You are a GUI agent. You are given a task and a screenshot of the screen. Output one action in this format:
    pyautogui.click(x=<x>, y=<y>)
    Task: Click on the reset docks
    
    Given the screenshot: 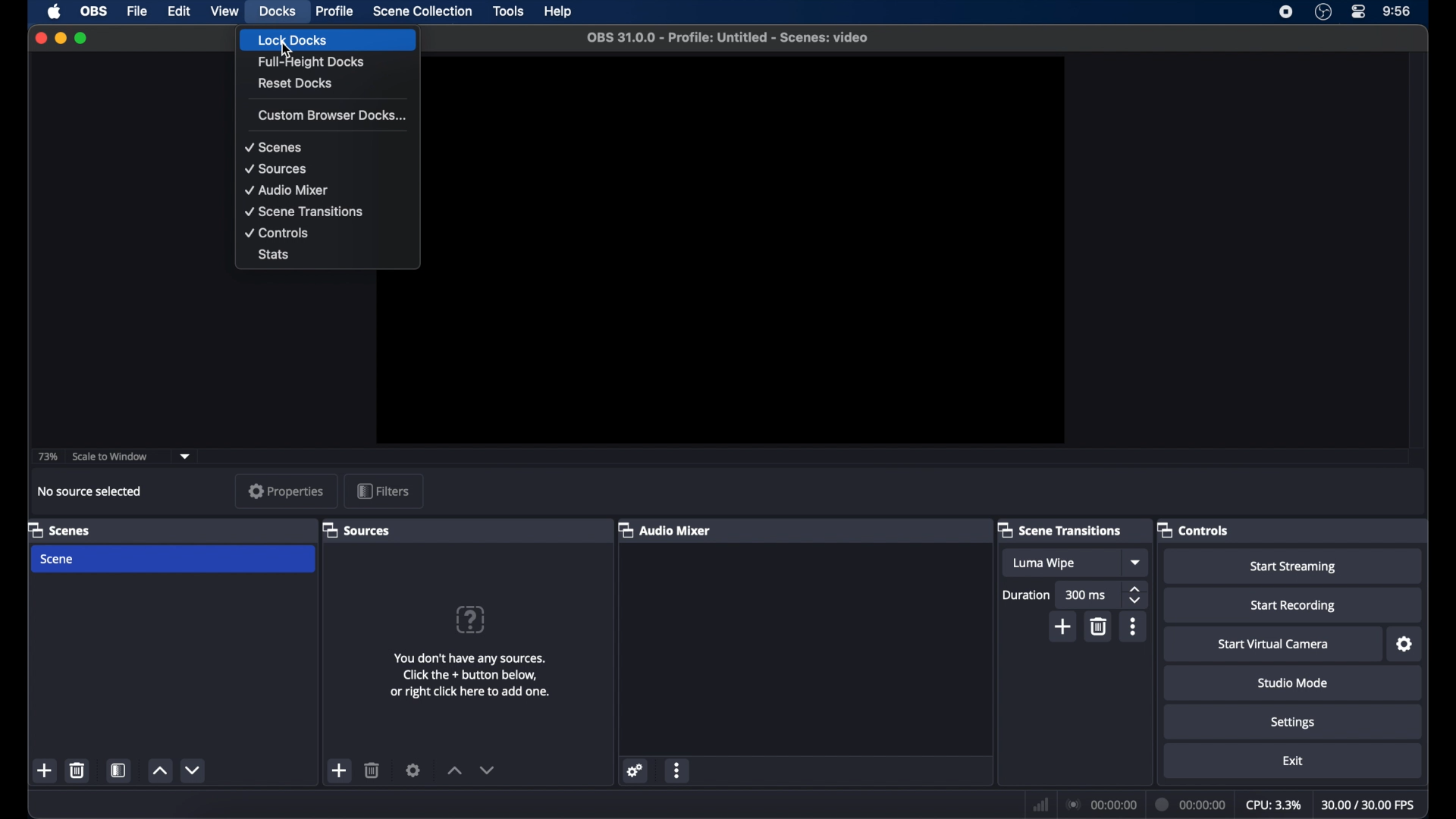 What is the action you would take?
    pyautogui.click(x=297, y=83)
    